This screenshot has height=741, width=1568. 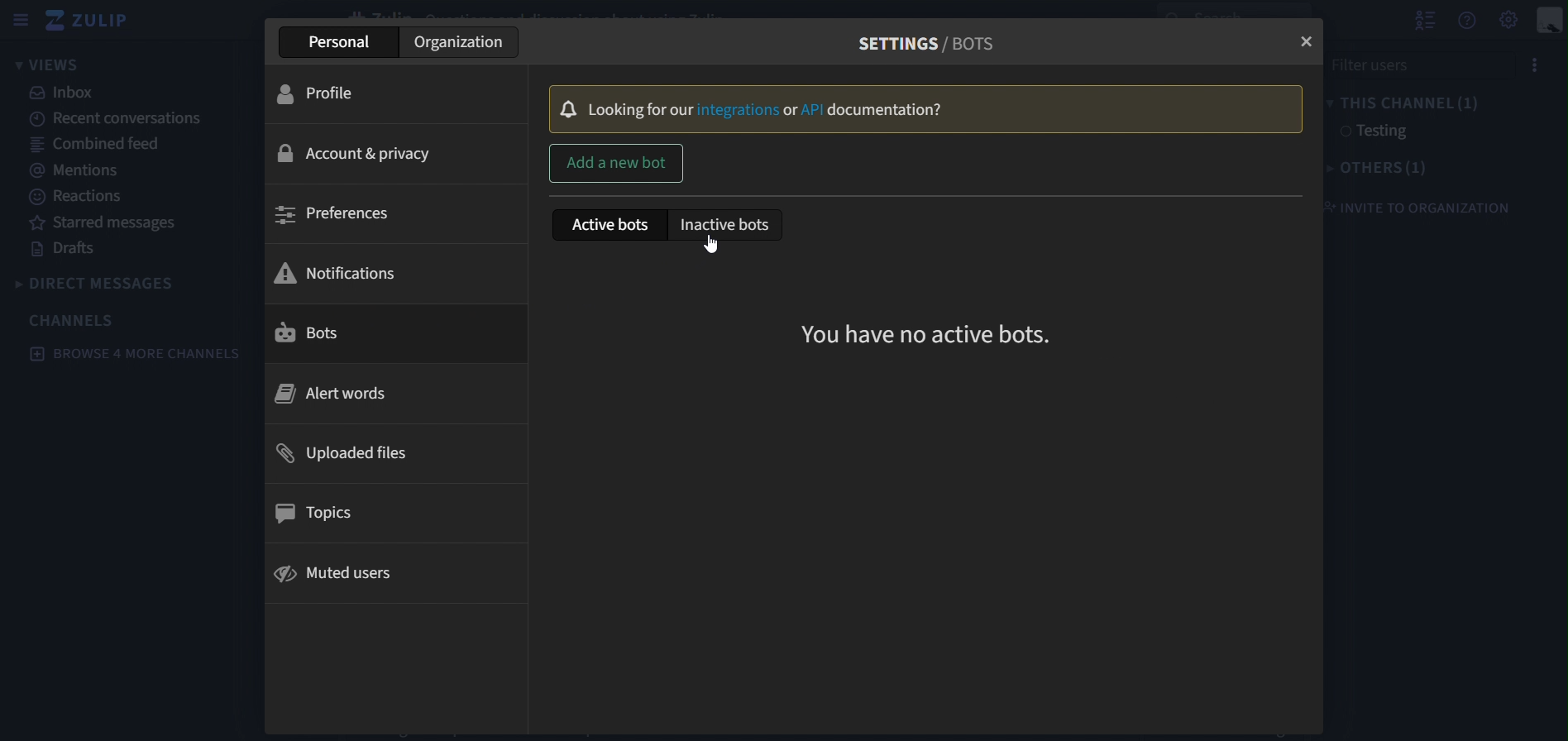 What do you see at coordinates (323, 514) in the screenshot?
I see `topics` at bounding box center [323, 514].